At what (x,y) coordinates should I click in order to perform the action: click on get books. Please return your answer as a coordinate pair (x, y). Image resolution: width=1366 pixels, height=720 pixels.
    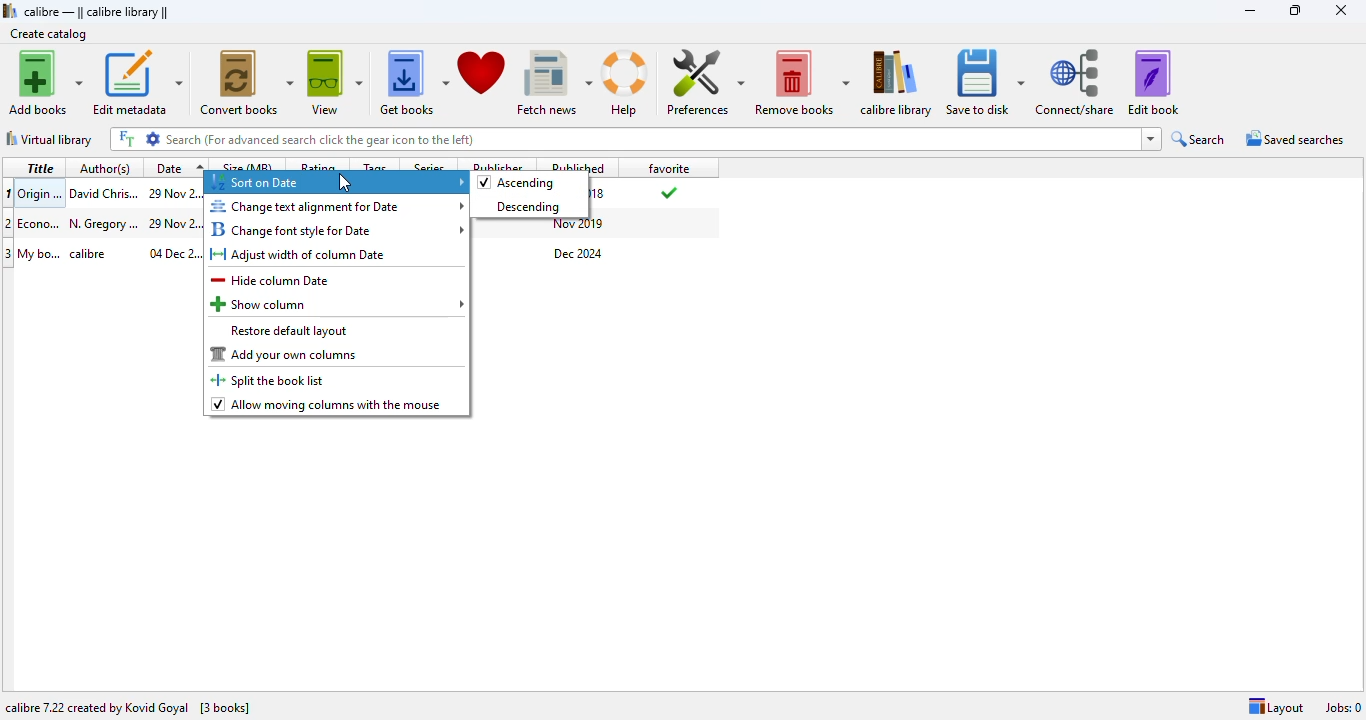
    Looking at the image, I should click on (413, 83).